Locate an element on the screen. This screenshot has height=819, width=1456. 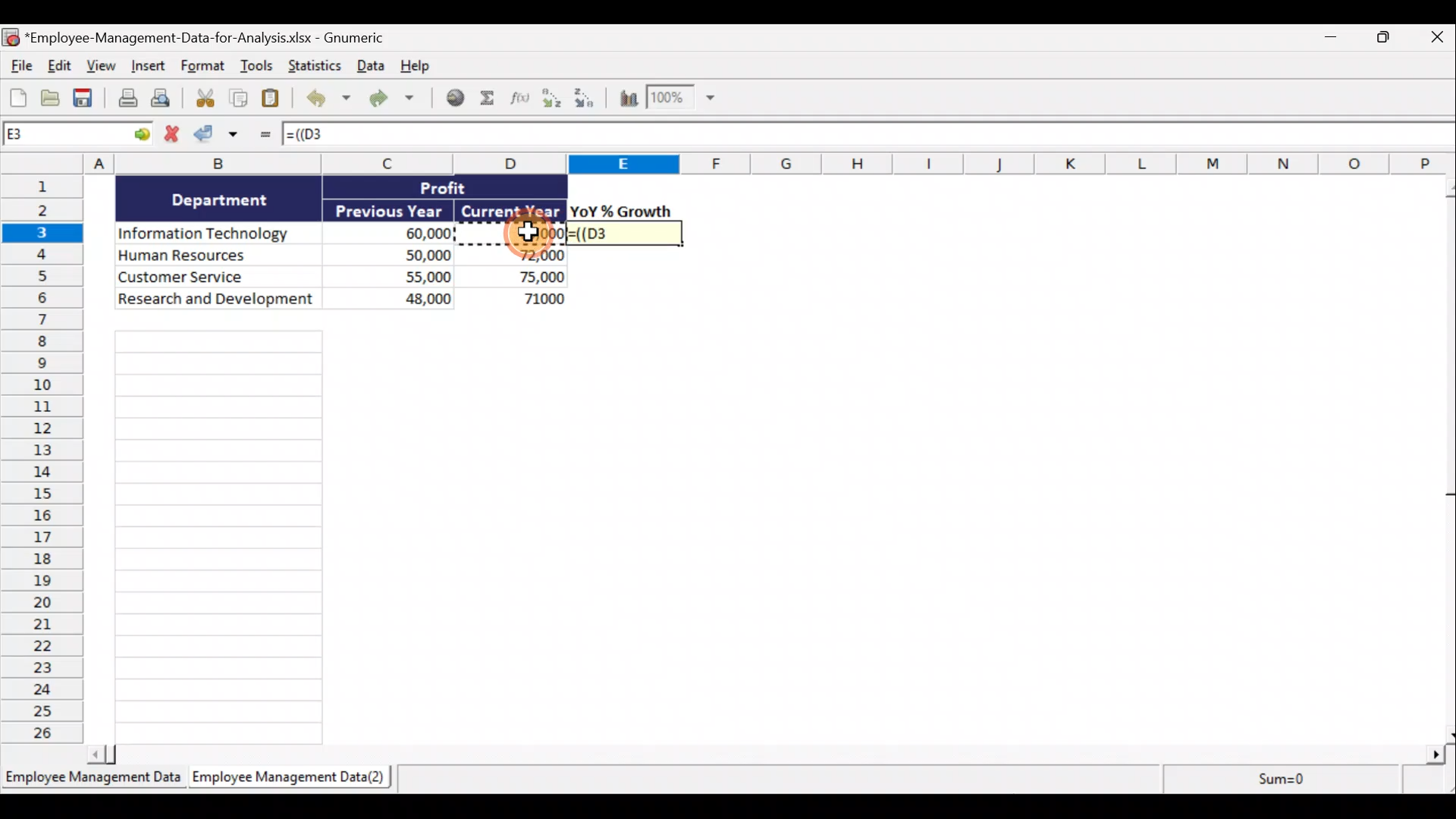
Edit is located at coordinates (58, 65).